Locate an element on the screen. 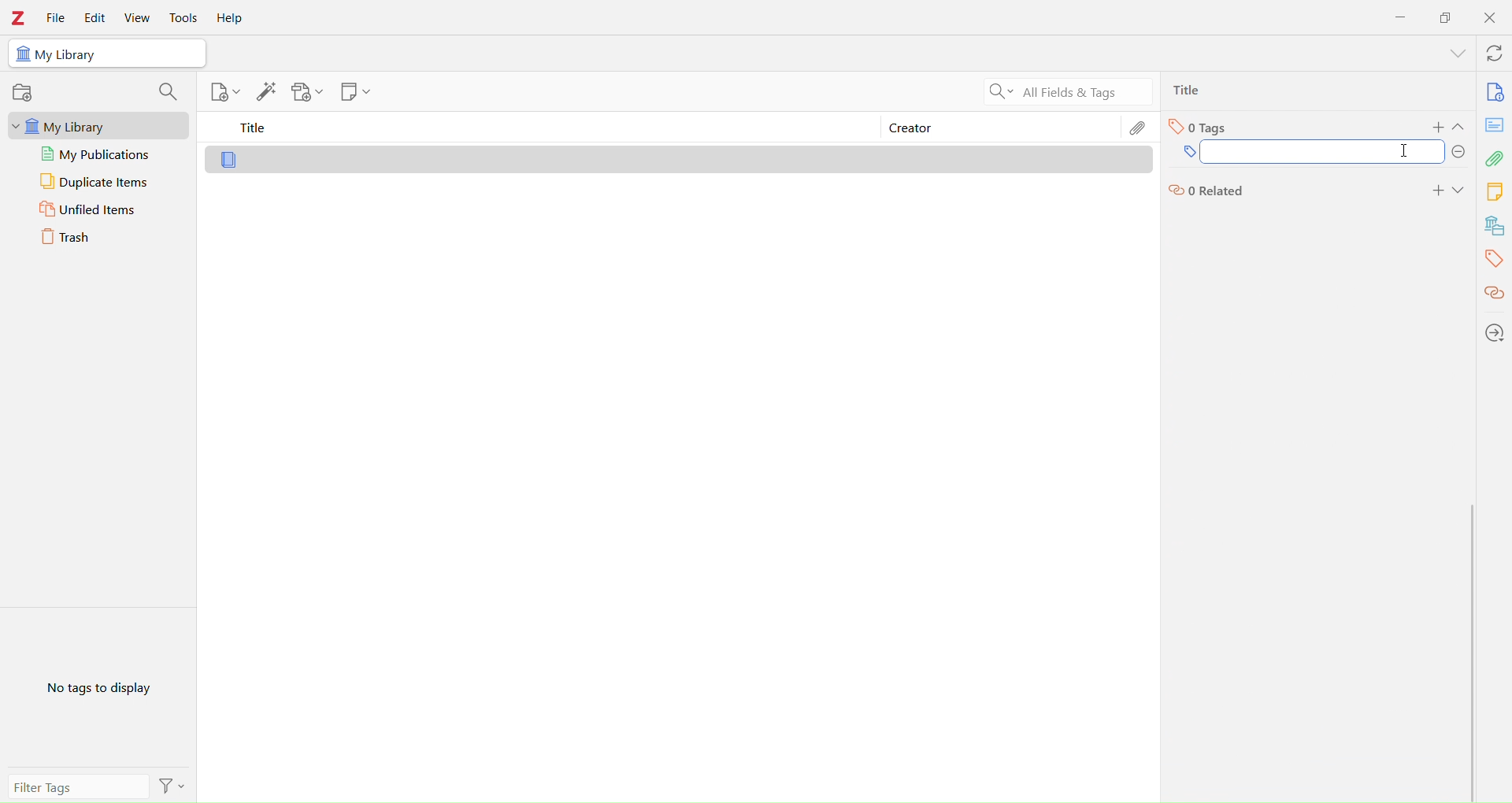  Edit is located at coordinates (1140, 128).